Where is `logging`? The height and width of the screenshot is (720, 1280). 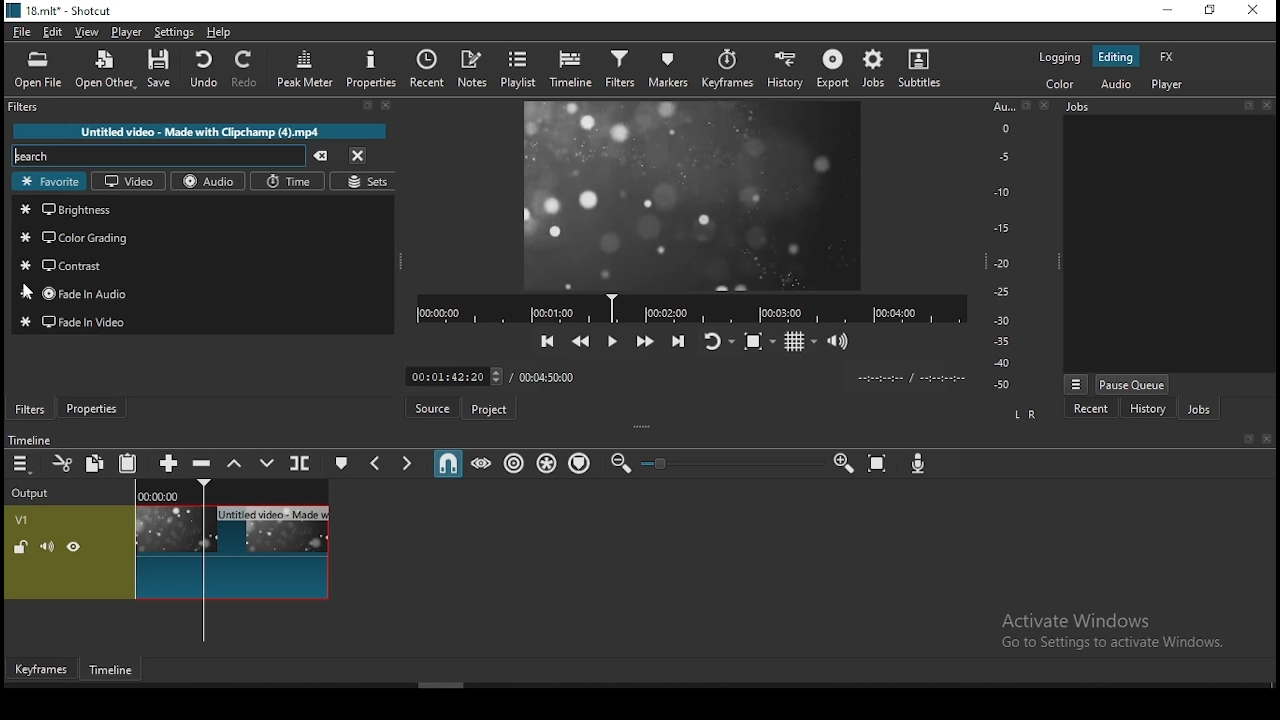 logging is located at coordinates (1057, 59).